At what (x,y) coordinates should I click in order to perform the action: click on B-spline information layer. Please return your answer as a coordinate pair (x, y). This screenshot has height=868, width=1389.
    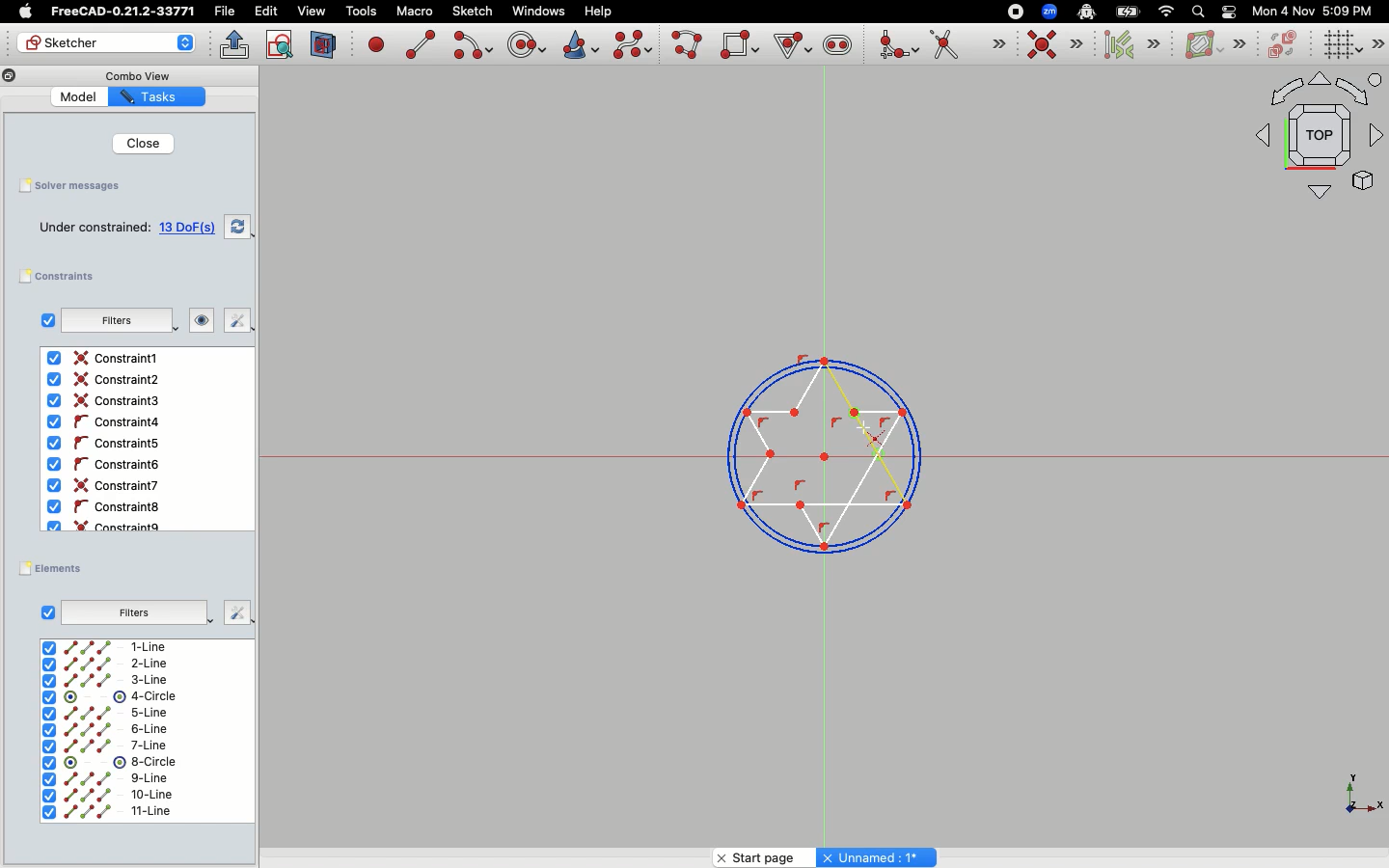
    Looking at the image, I should click on (1213, 45).